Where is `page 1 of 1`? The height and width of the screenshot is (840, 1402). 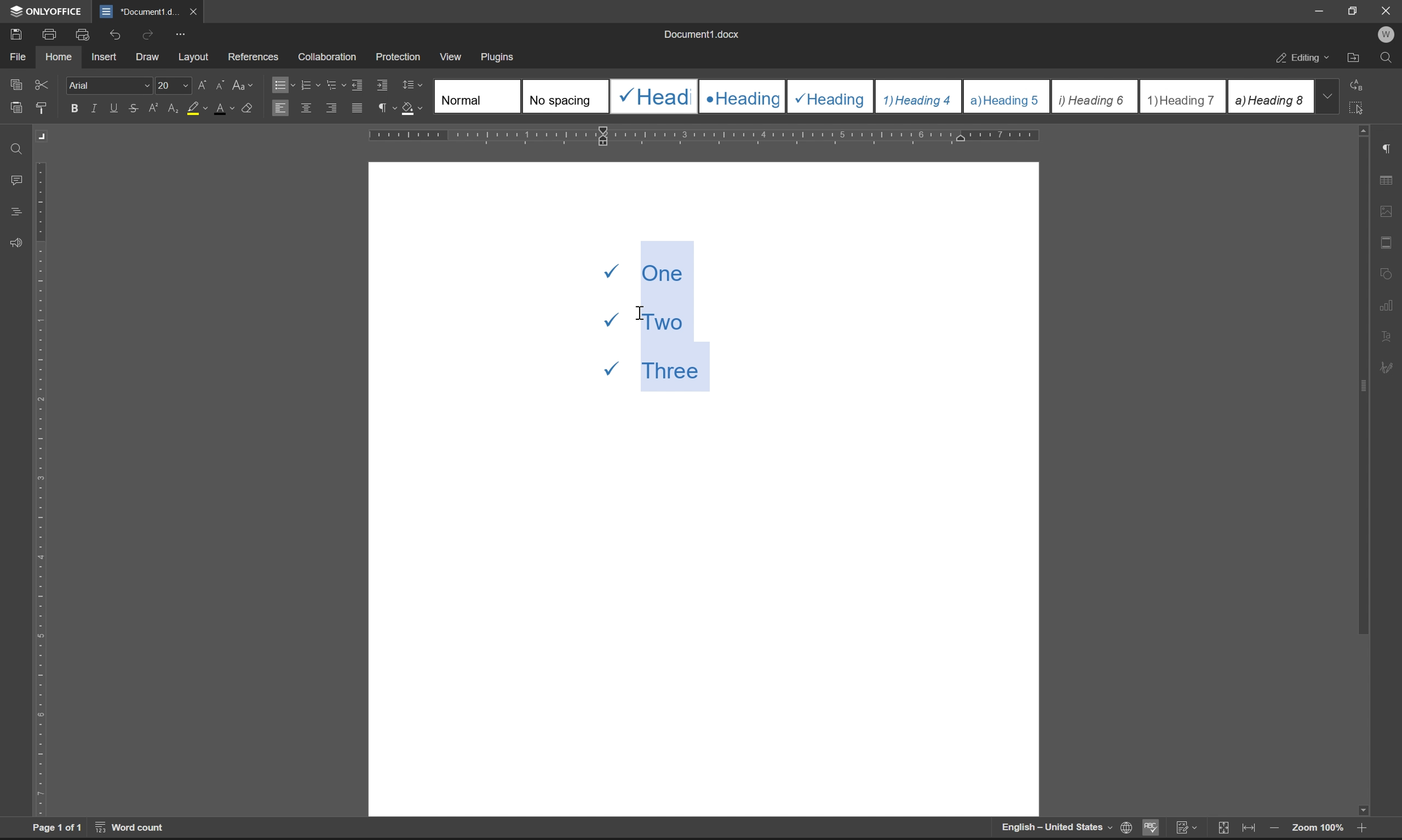
page 1 of 1 is located at coordinates (57, 828).